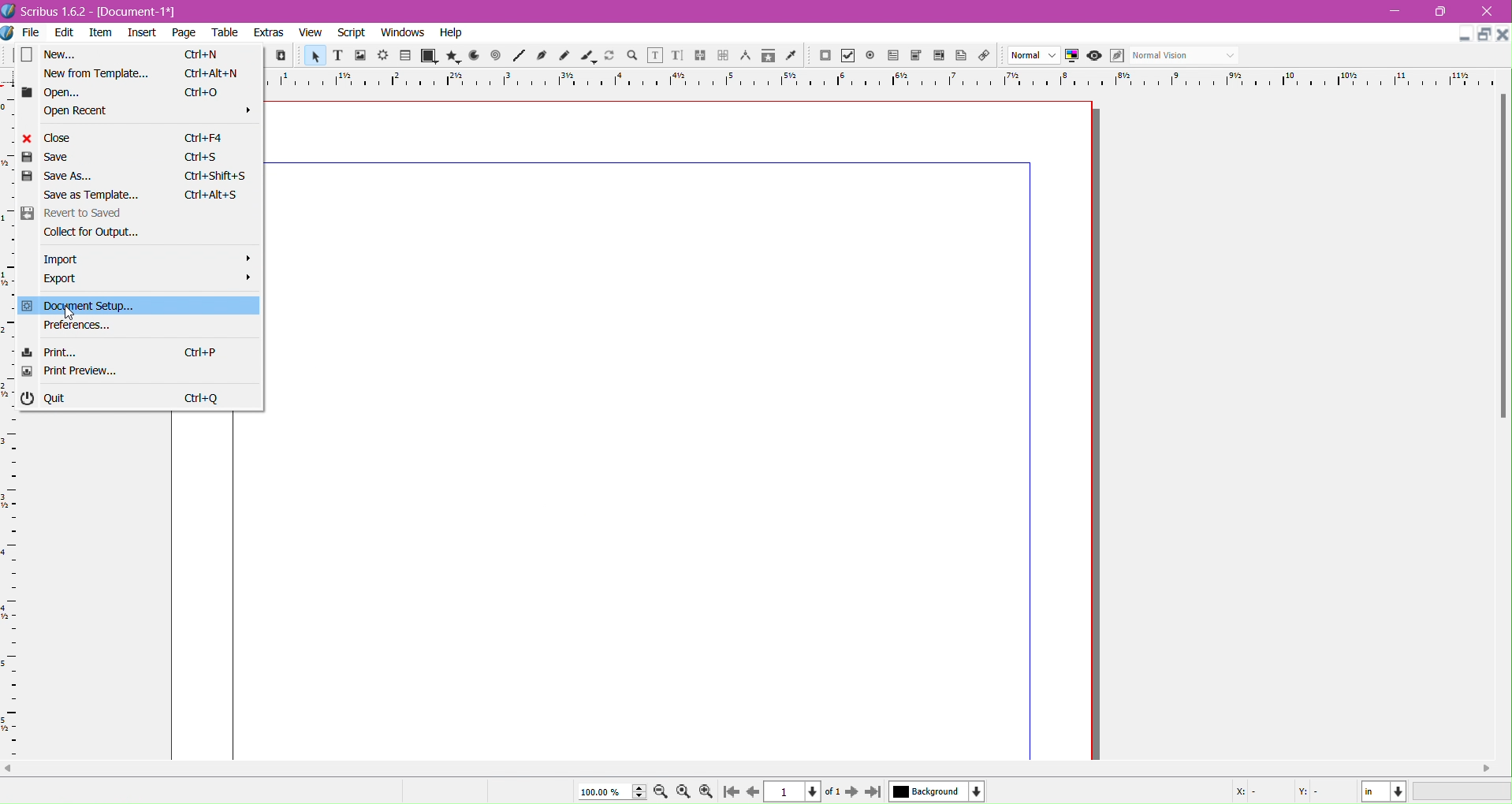 This screenshot has width=1512, height=804. I want to click on app name, so click(54, 13).